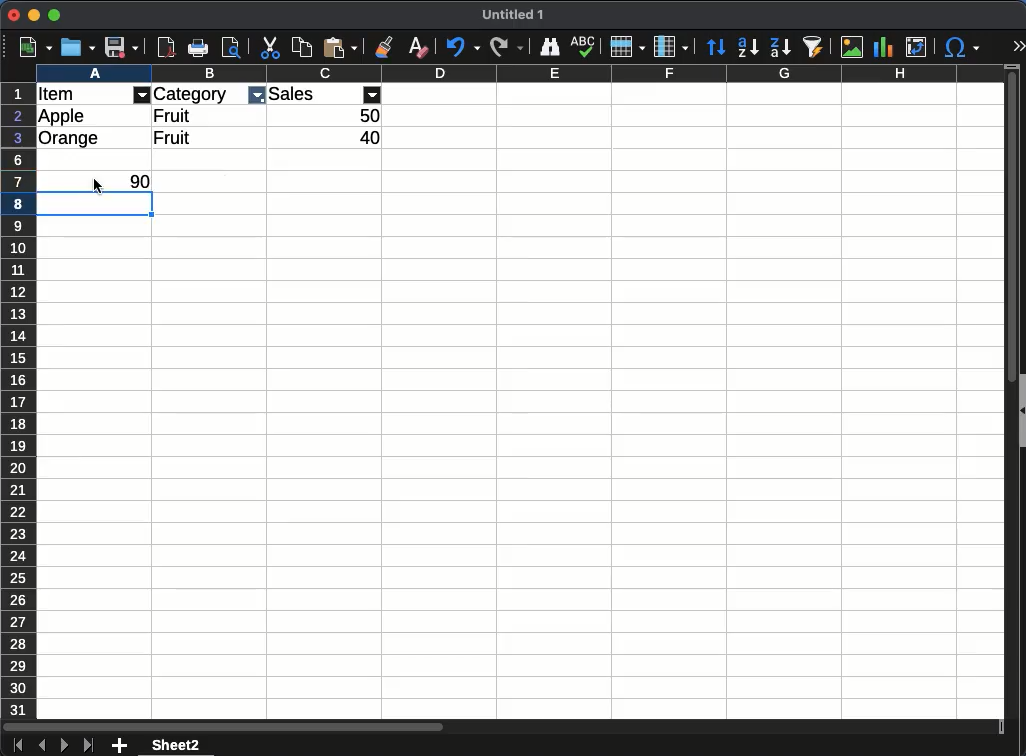 The width and height of the screenshot is (1026, 756). What do you see at coordinates (13, 15) in the screenshot?
I see `close` at bounding box center [13, 15].